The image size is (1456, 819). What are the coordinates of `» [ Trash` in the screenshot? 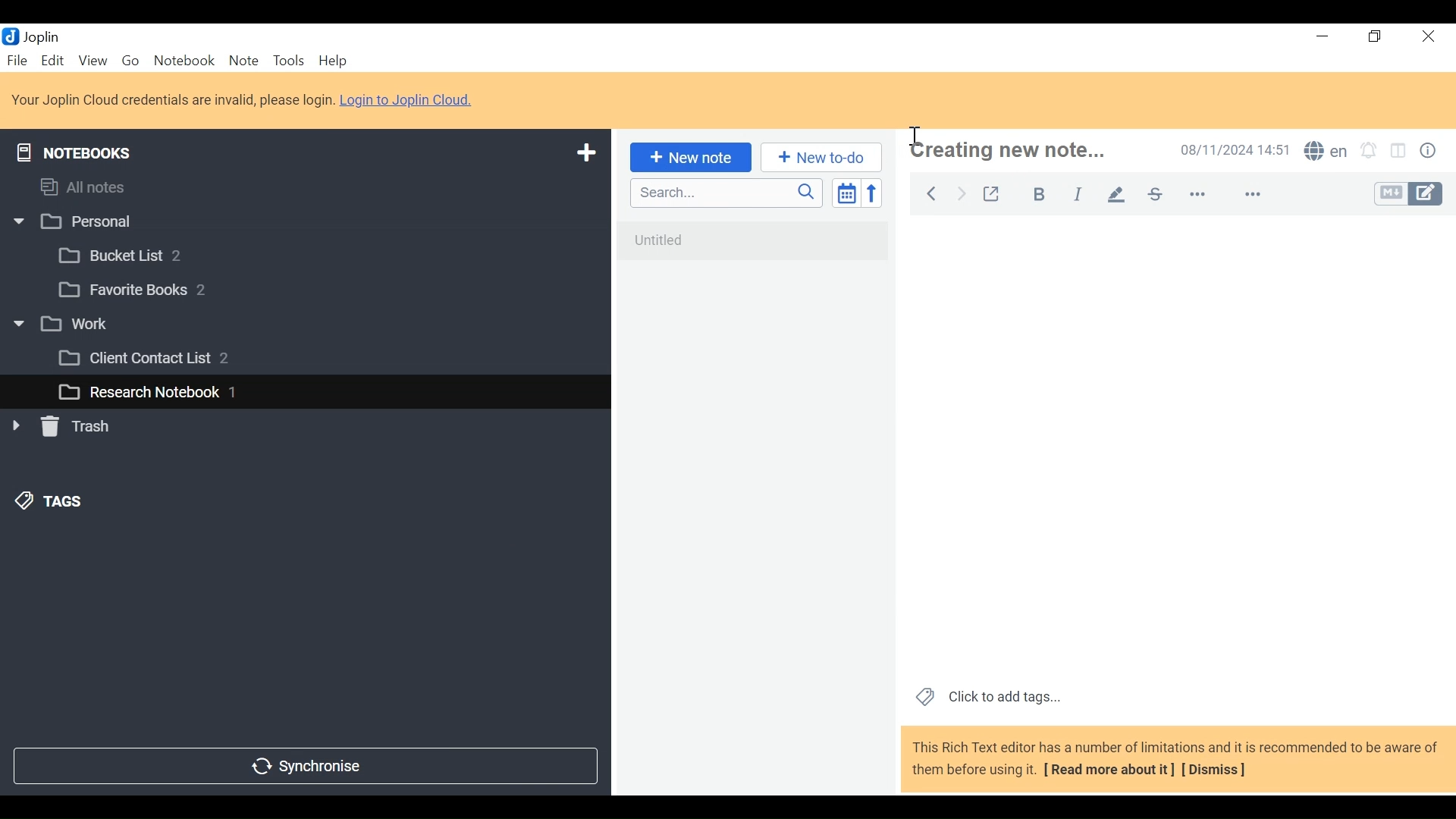 It's located at (80, 426).